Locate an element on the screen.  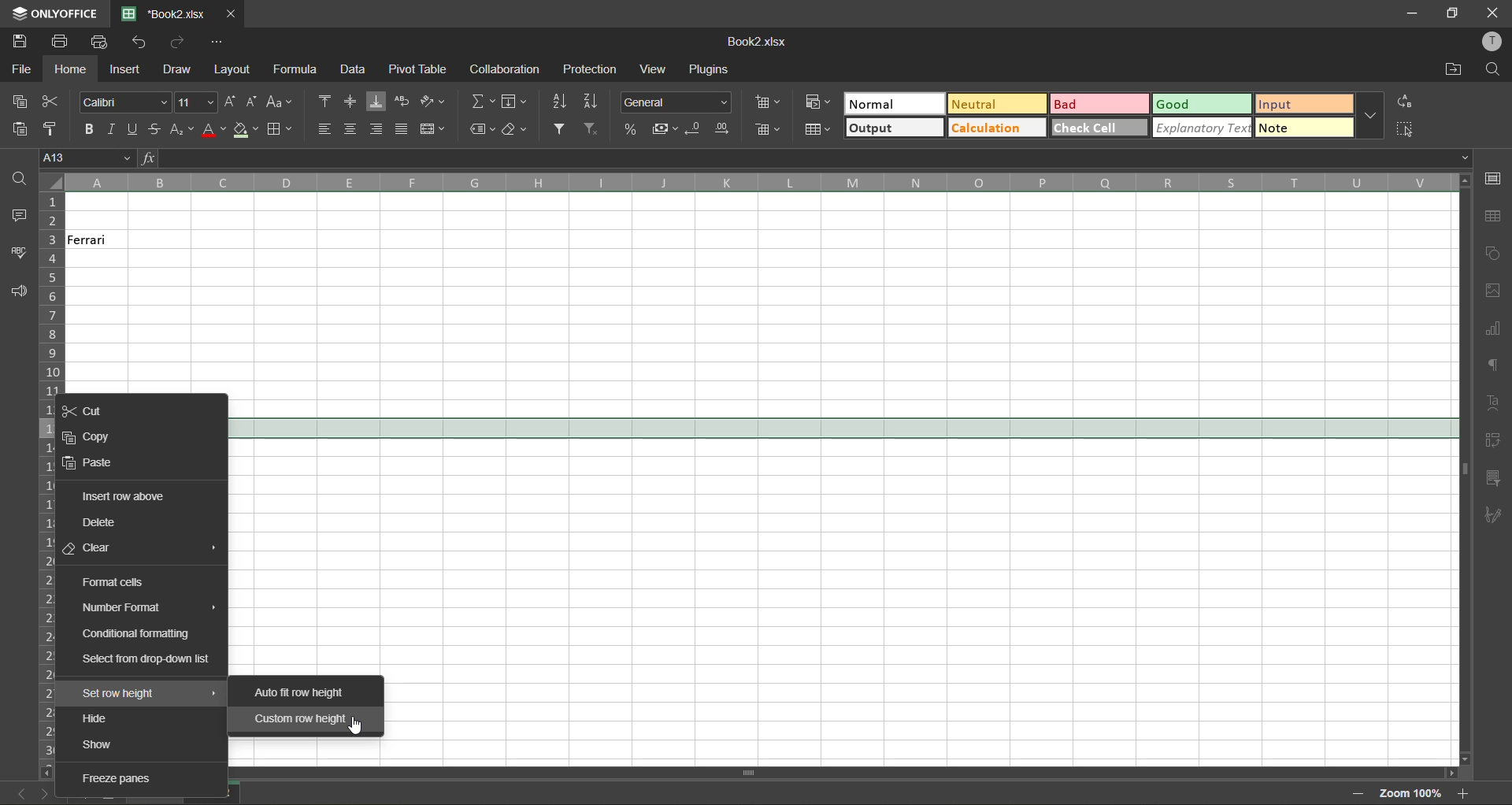
bold is located at coordinates (88, 130).